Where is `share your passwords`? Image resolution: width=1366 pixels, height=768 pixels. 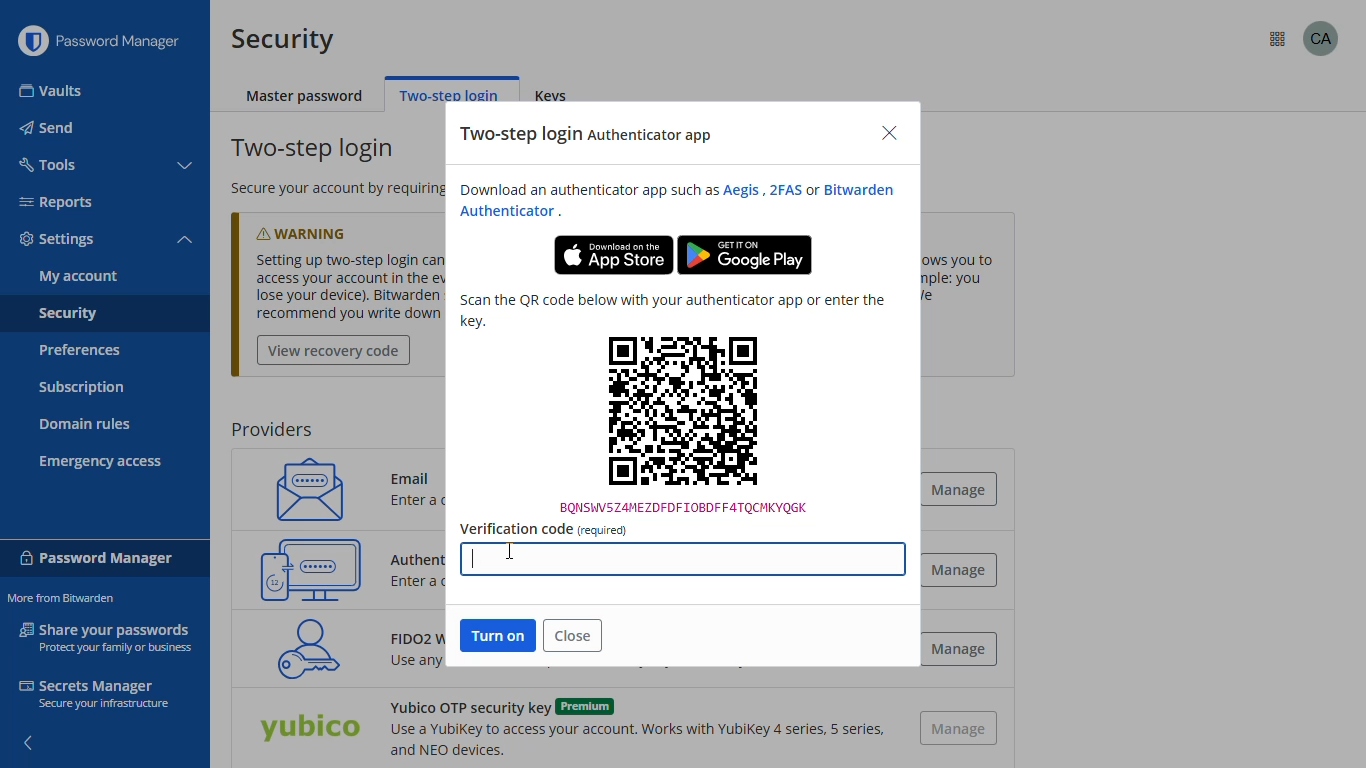
share your passwords is located at coordinates (108, 636).